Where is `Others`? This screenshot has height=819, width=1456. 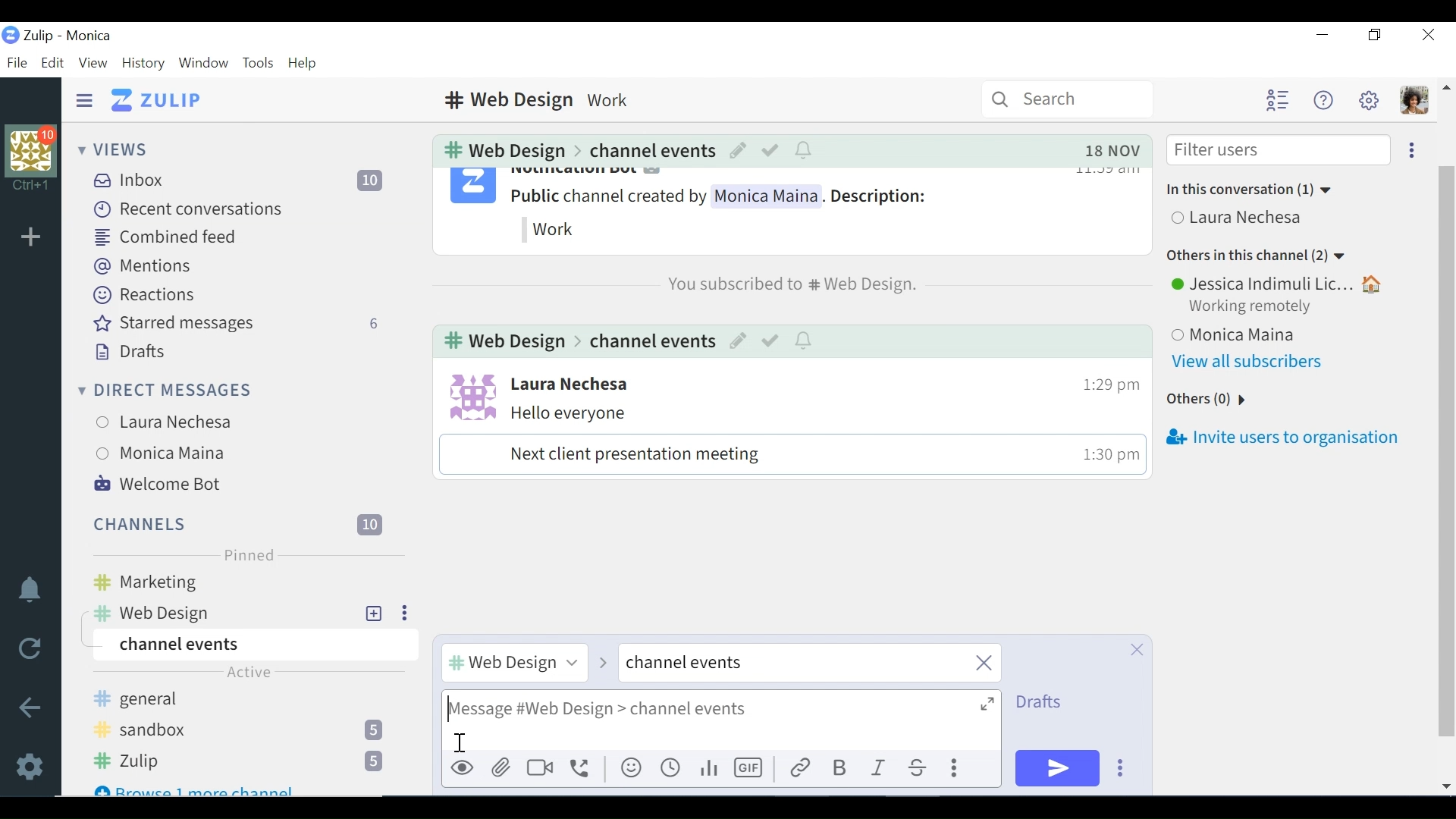
Others is located at coordinates (1205, 400).